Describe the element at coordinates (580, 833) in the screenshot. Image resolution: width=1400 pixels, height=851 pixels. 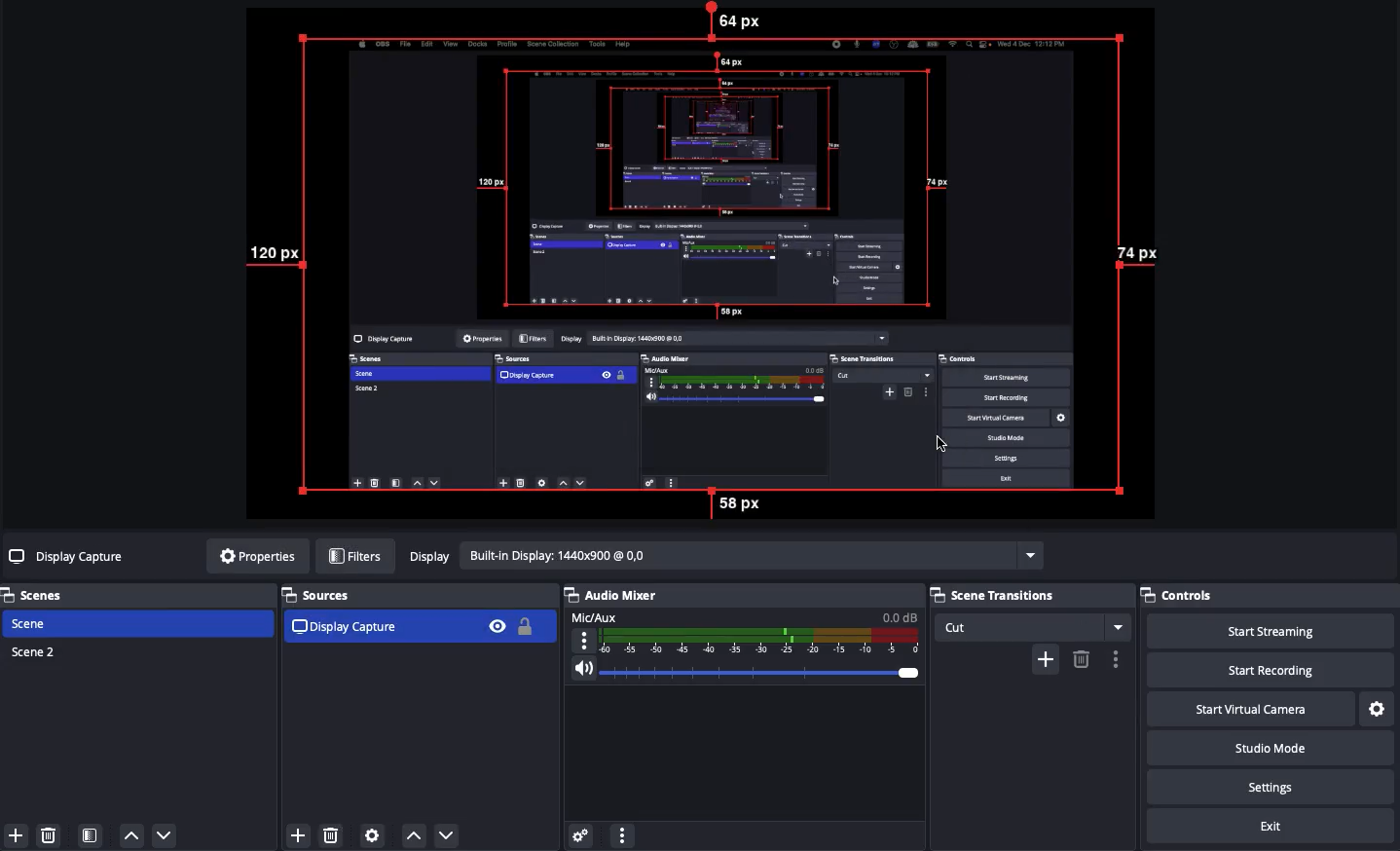
I see `Advanced audio menu` at that location.